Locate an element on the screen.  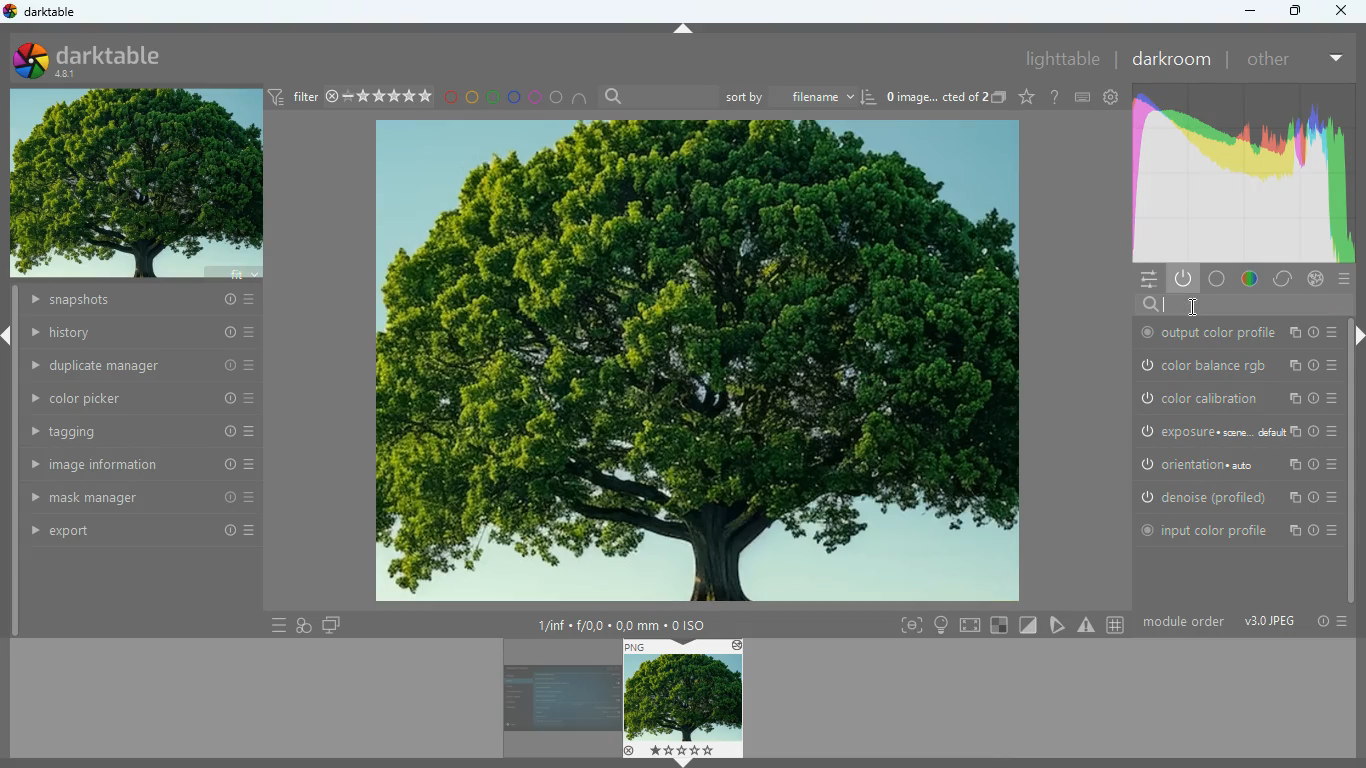
yellow is located at coordinates (470, 98).